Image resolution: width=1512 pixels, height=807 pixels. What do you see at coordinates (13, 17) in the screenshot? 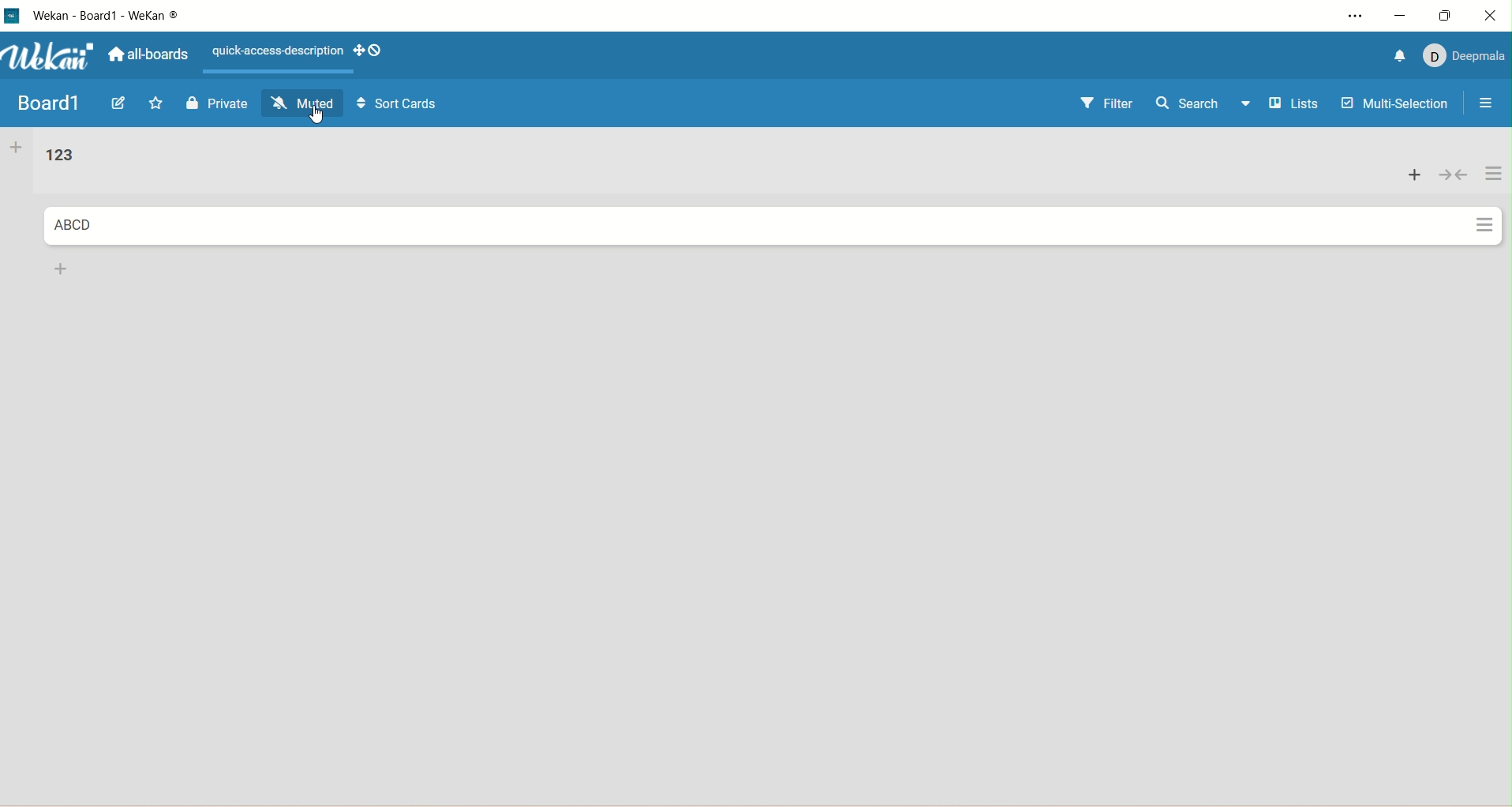
I see `logo` at bounding box center [13, 17].